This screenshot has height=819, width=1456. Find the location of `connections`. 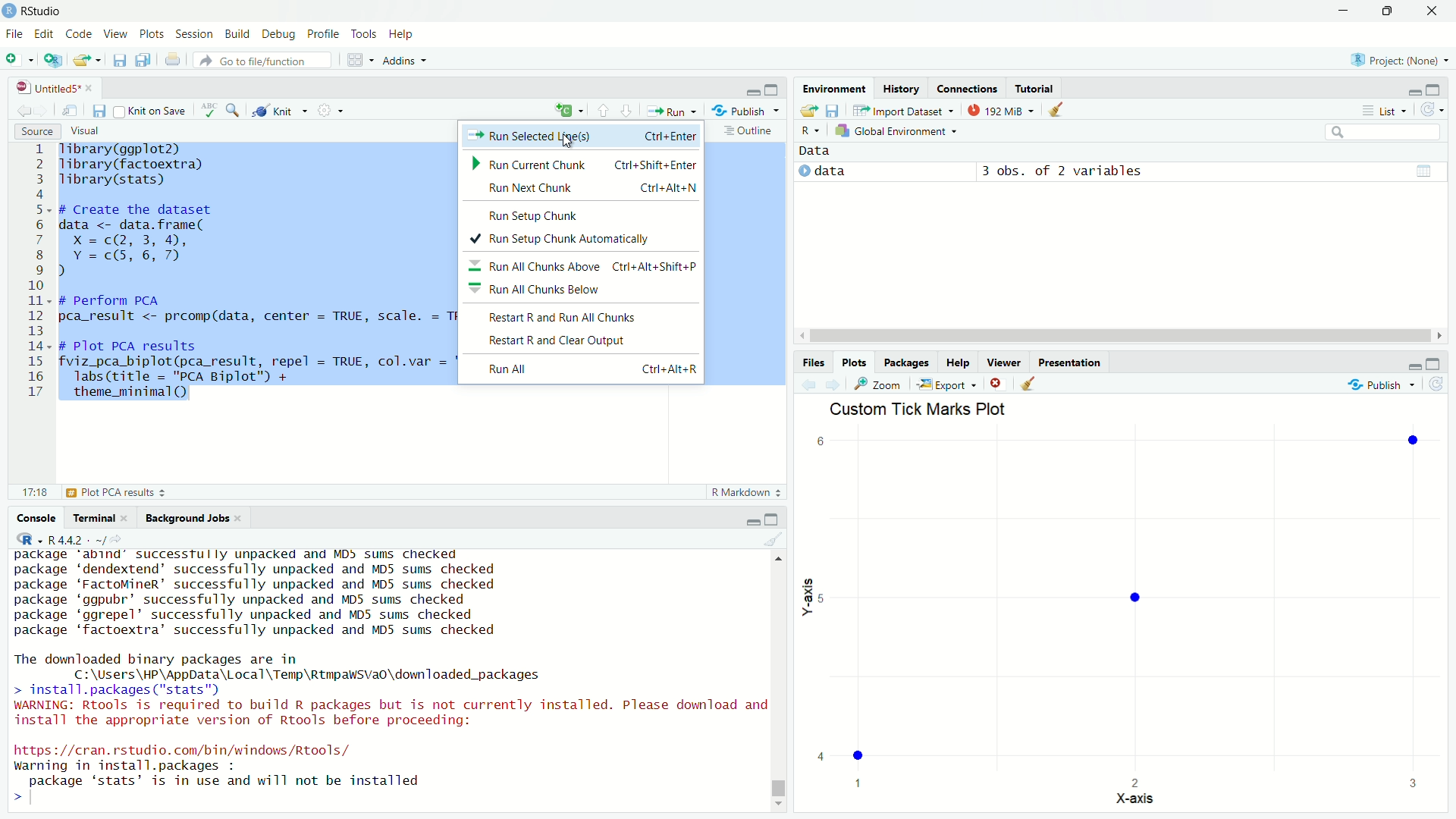

connections is located at coordinates (966, 88).